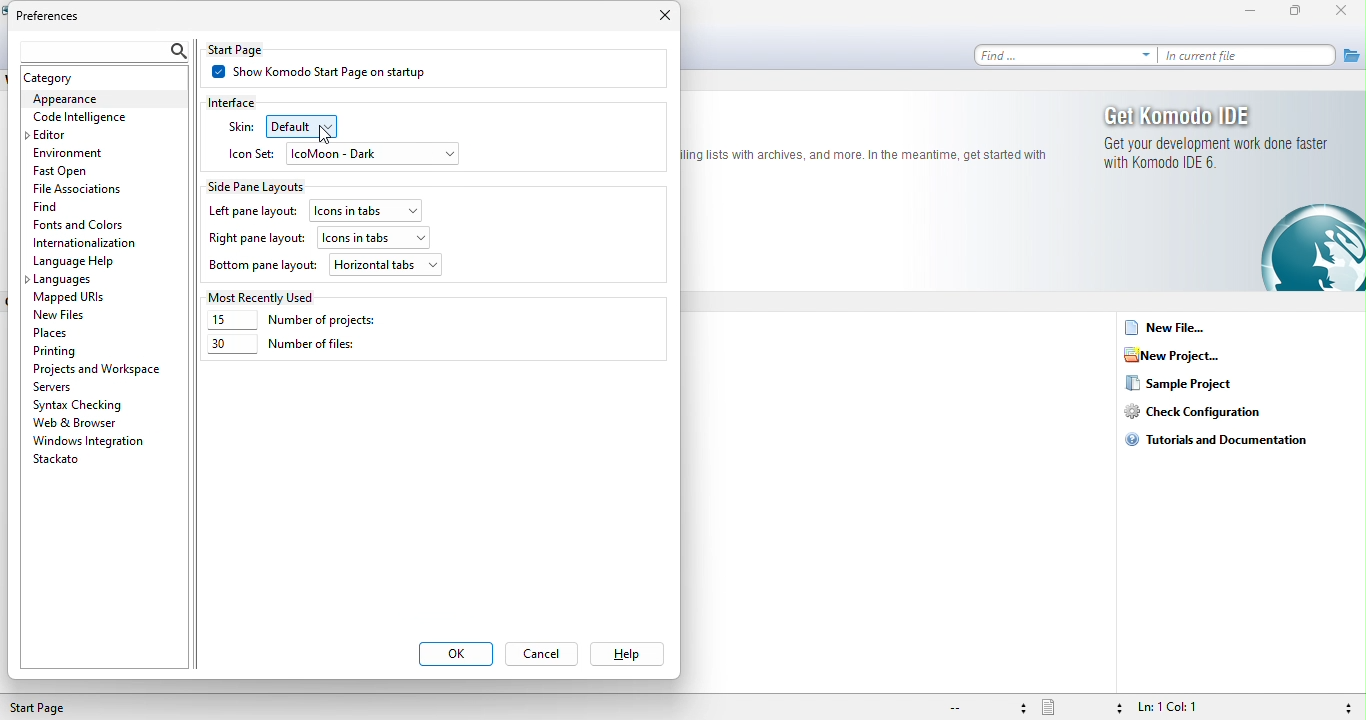 The height and width of the screenshot is (720, 1366). What do you see at coordinates (252, 212) in the screenshot?
I see `left pane layout` at bounding box center [252, 212].